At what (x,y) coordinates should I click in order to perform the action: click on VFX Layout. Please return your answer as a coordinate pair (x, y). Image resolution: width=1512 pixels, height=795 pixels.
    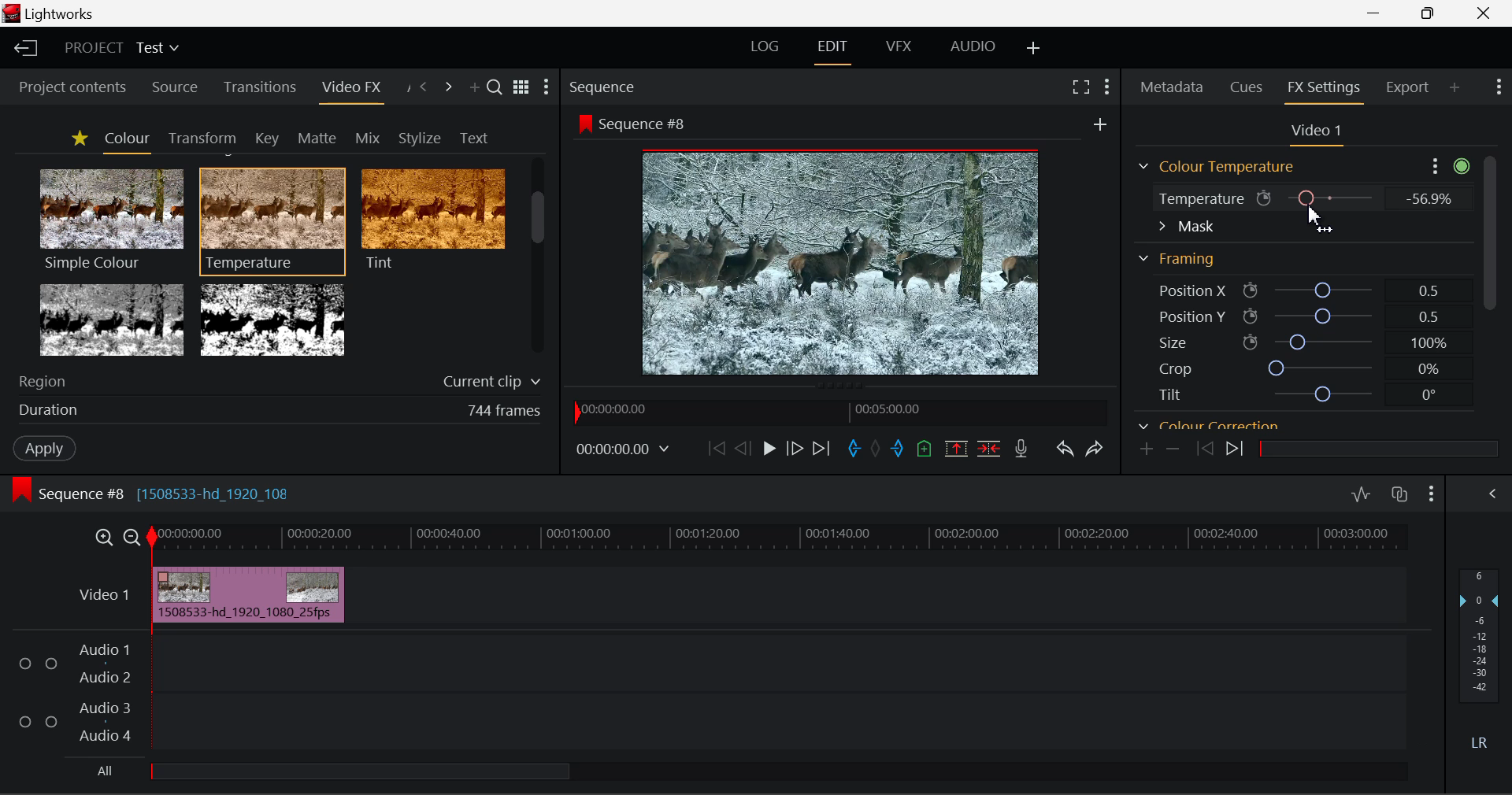
    Looking at the image, I should click on (897, 48).